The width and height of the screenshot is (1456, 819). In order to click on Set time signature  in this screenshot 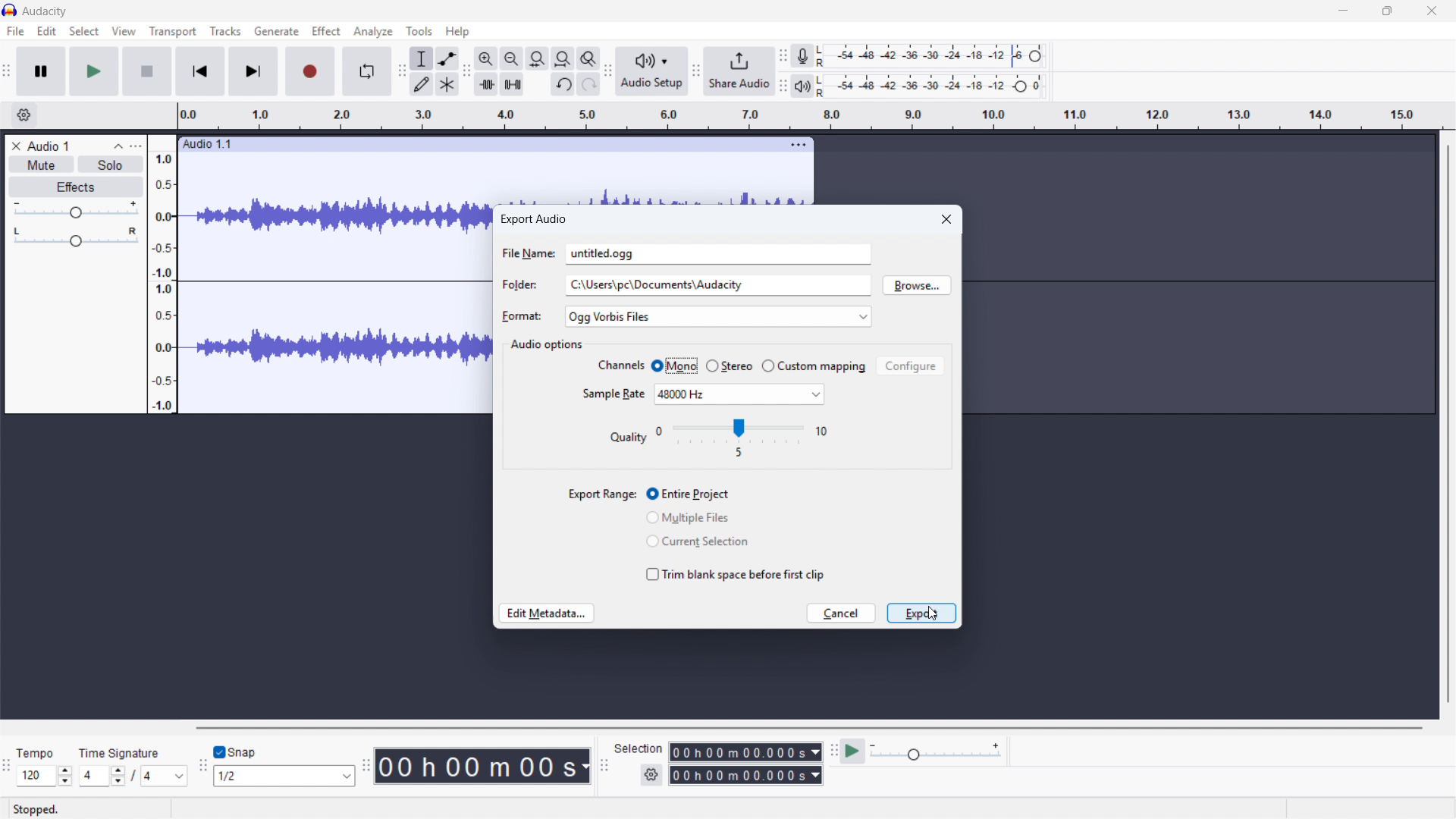, I will do `click(104, 777)`.